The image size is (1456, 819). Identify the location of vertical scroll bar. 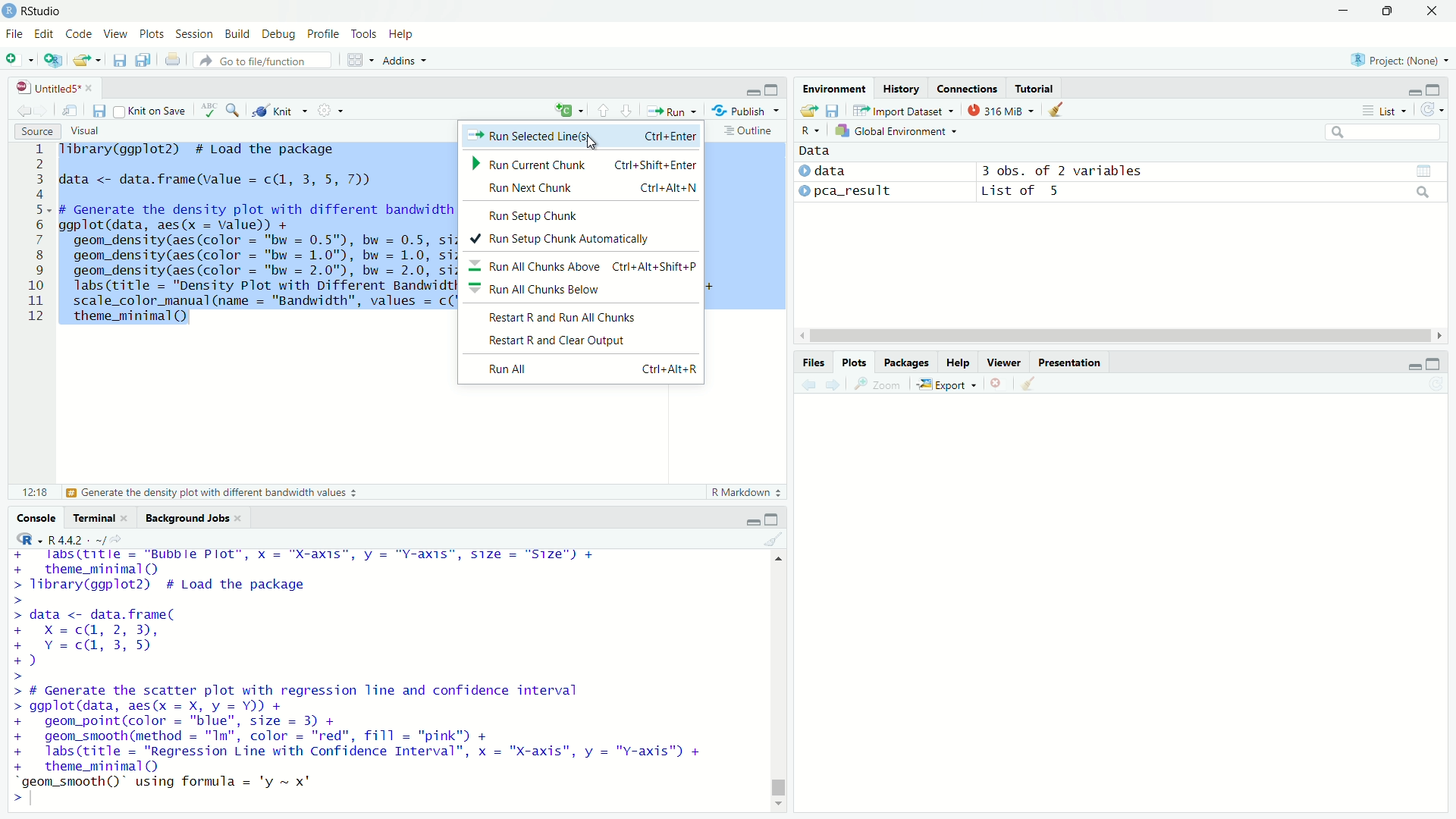
(779, 679).